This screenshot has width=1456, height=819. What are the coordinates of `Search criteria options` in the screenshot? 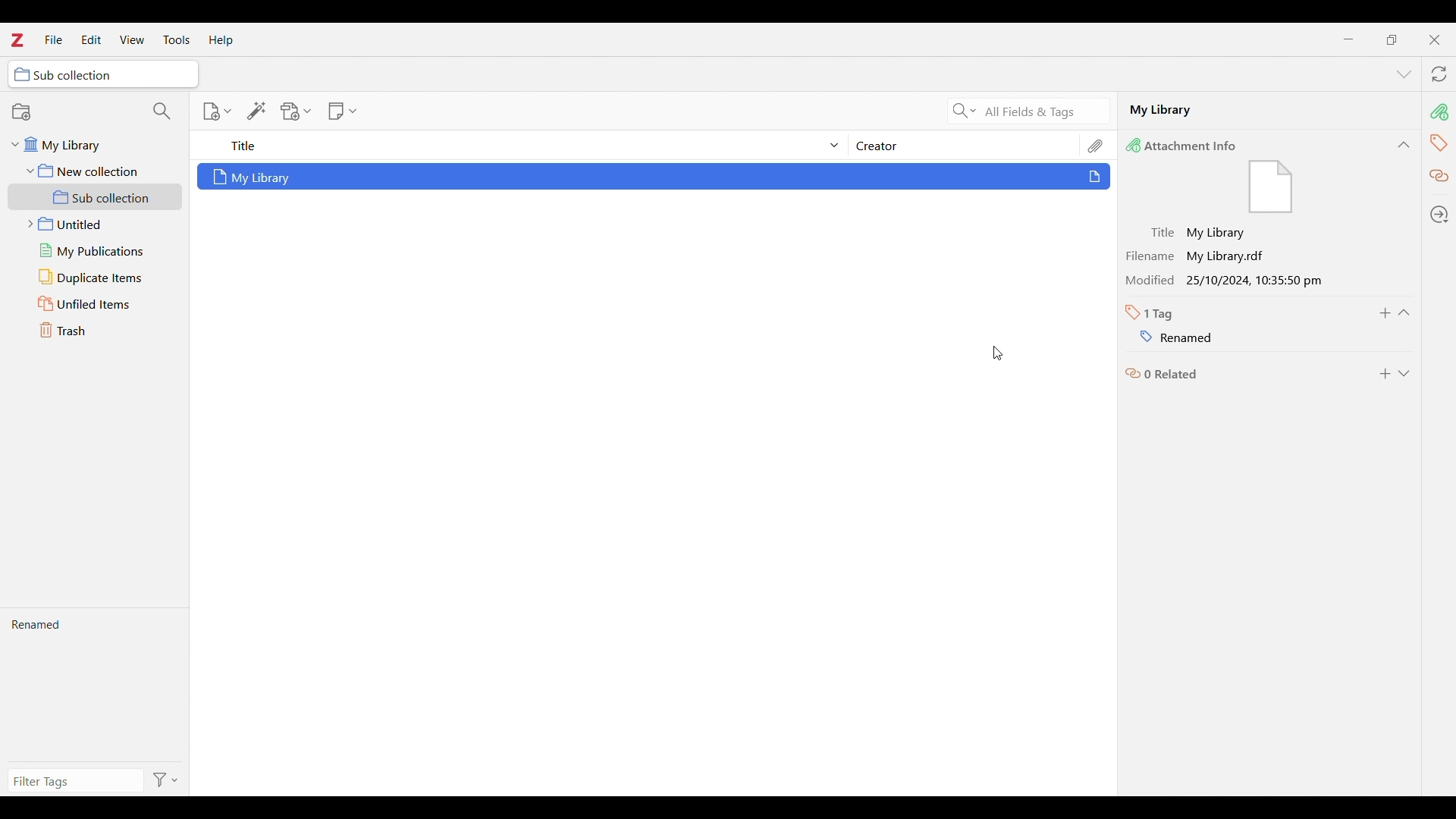 It's located at (965, 110).